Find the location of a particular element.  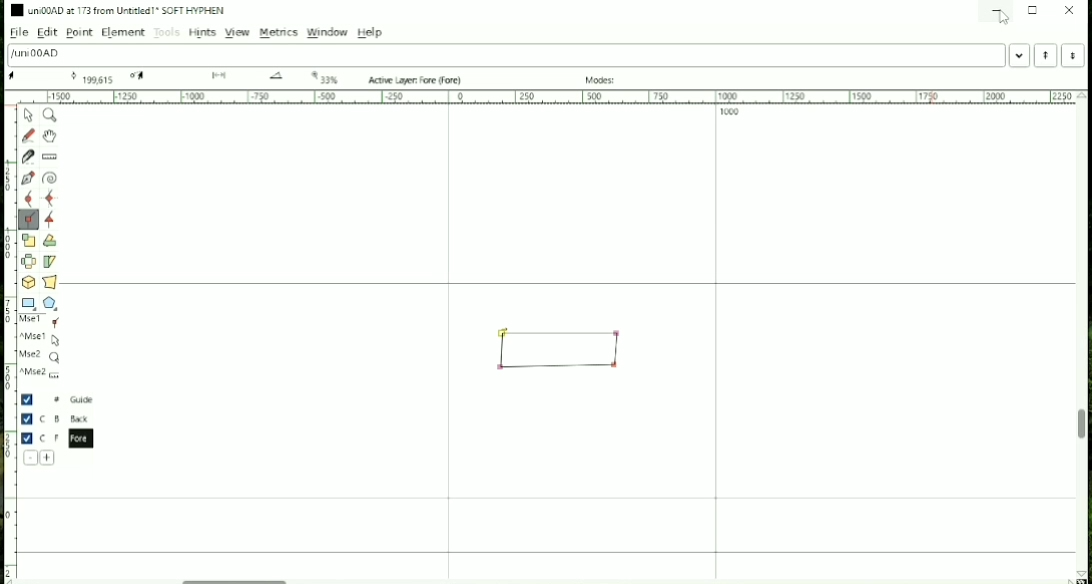

Letter is located at coordinates (36, 54).